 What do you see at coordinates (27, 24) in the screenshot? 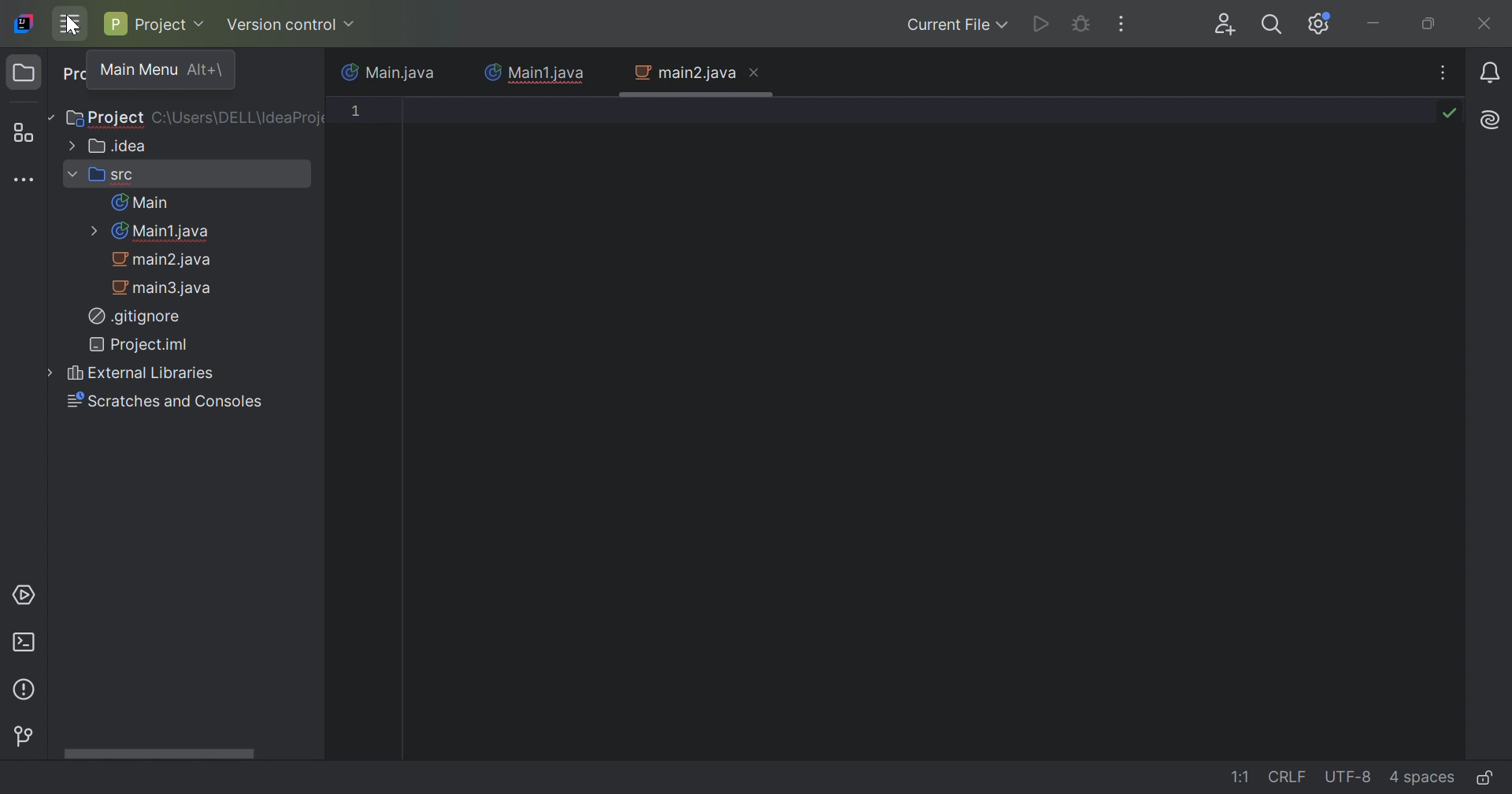
I see `IntelliJ IDEA` at bounding box center [27, 24].